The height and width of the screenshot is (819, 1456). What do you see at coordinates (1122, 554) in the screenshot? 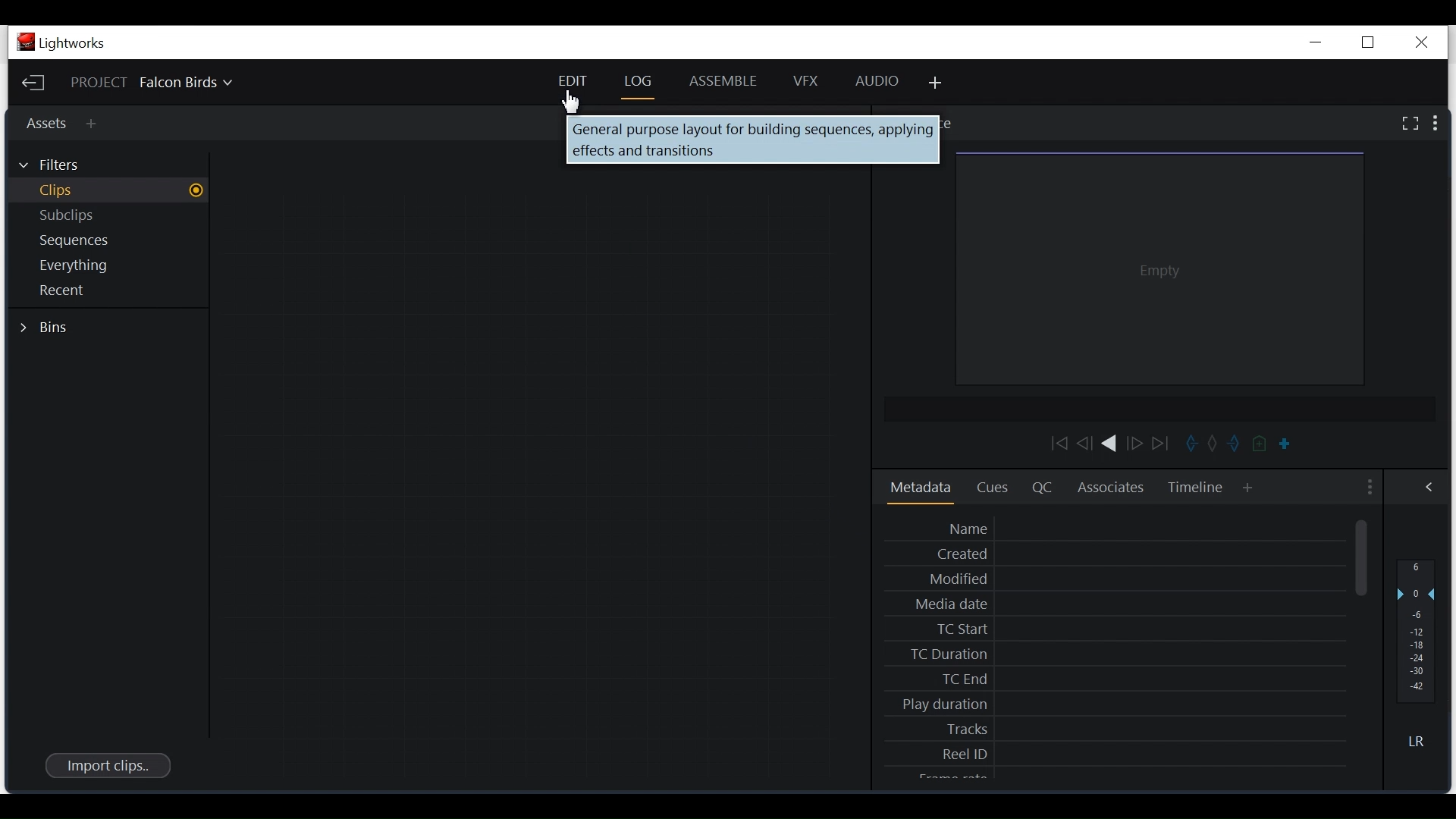
I see `Created` at bounding box center [1122, 554].